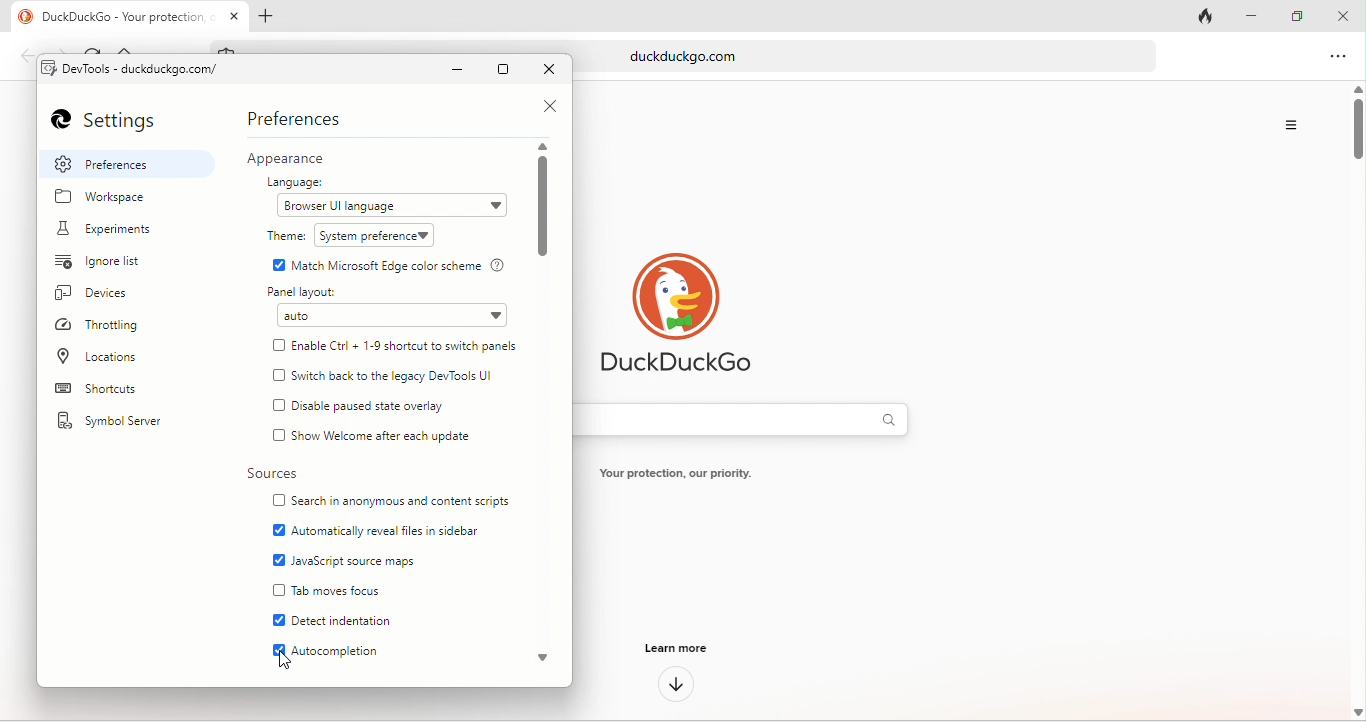 This screenshot has height=722, width=1366. I want to click on enable checkbox, so click(276, 530).